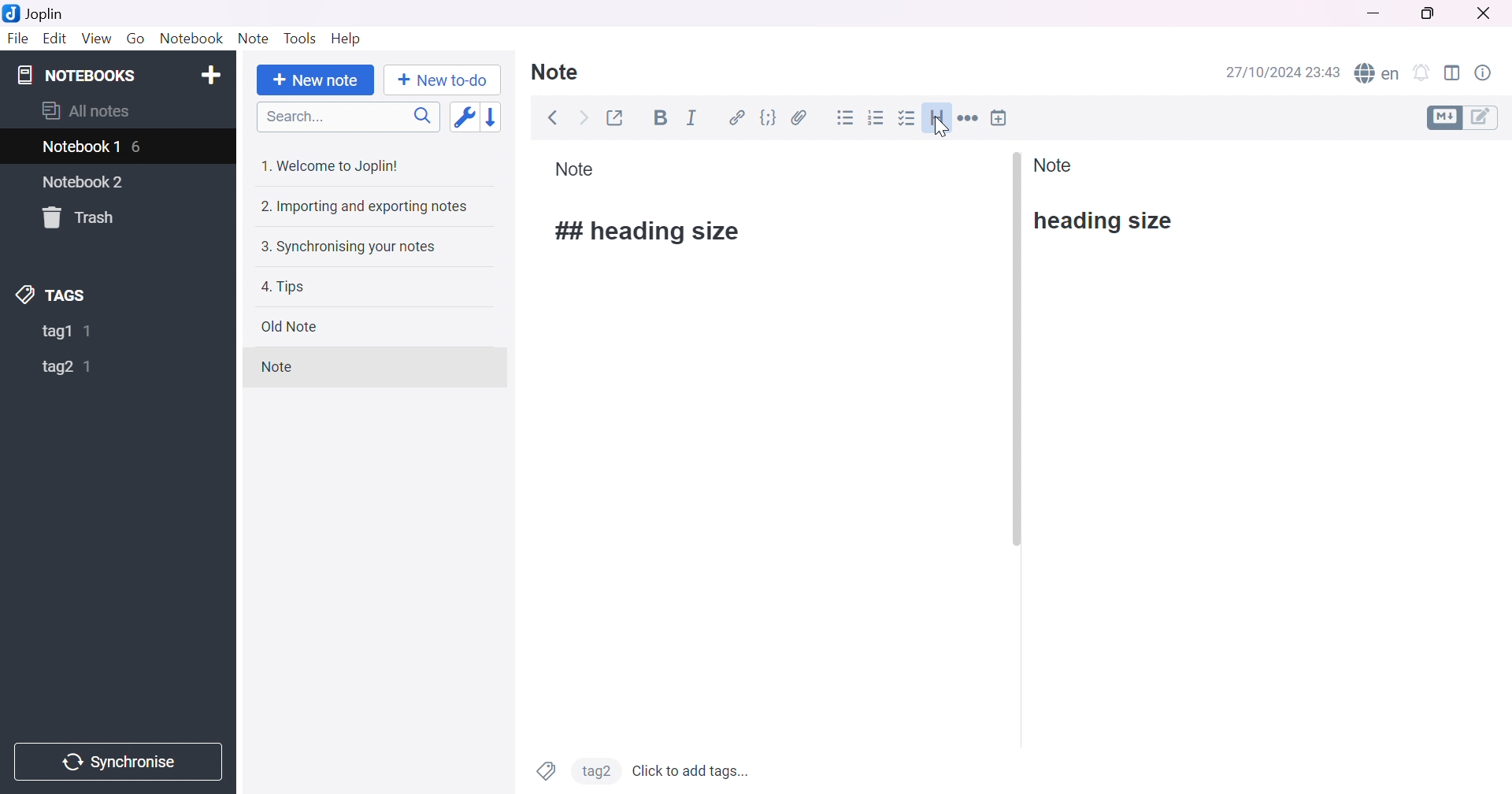 The width and height of the screenshot is (1512, 794). What do you see at coordinates (51, 295) in the screenshot?
I see `TAGS` at bounding box center [51, 295].